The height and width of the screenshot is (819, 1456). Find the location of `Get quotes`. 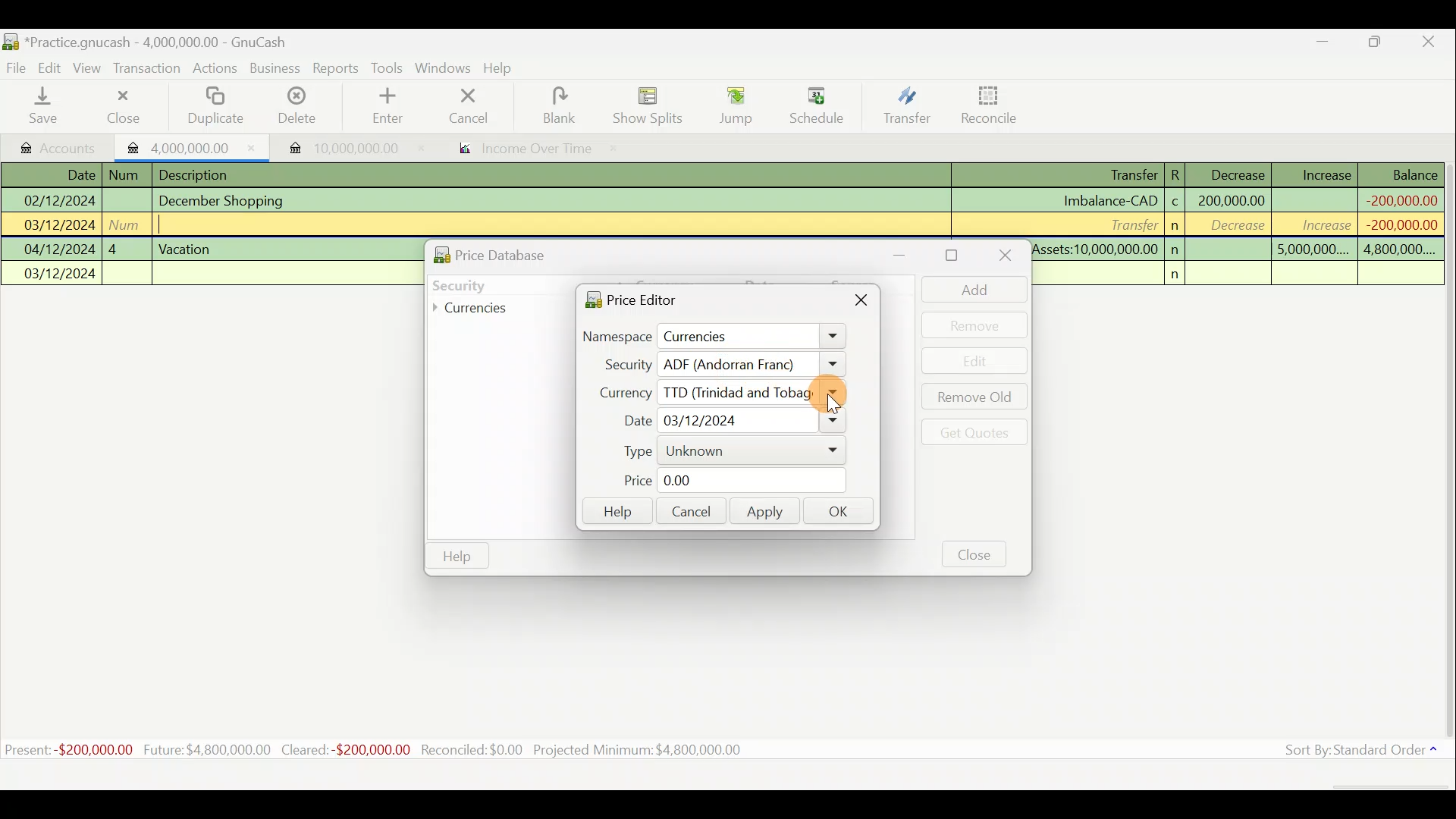

Get quotes is located at coordinates (971, 431).